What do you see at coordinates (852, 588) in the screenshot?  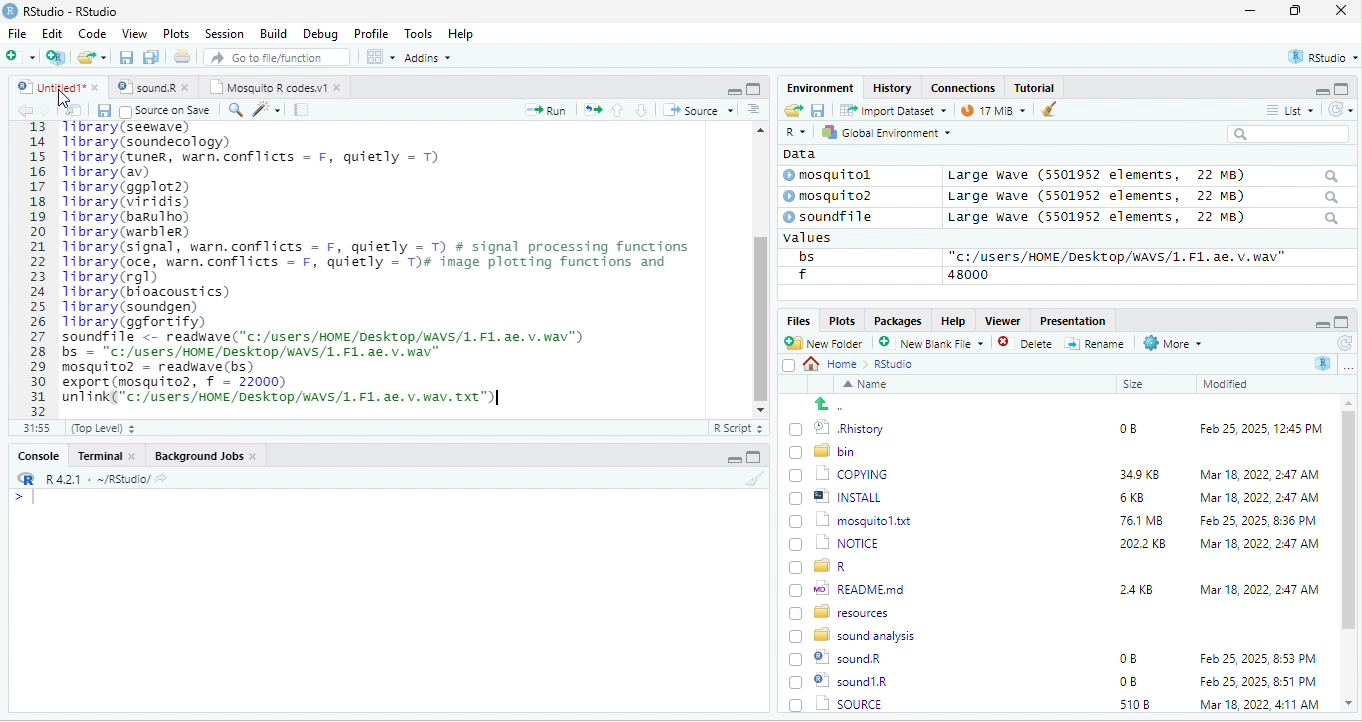 I see `wo| READMEmd` at bounding box center [852, 588].